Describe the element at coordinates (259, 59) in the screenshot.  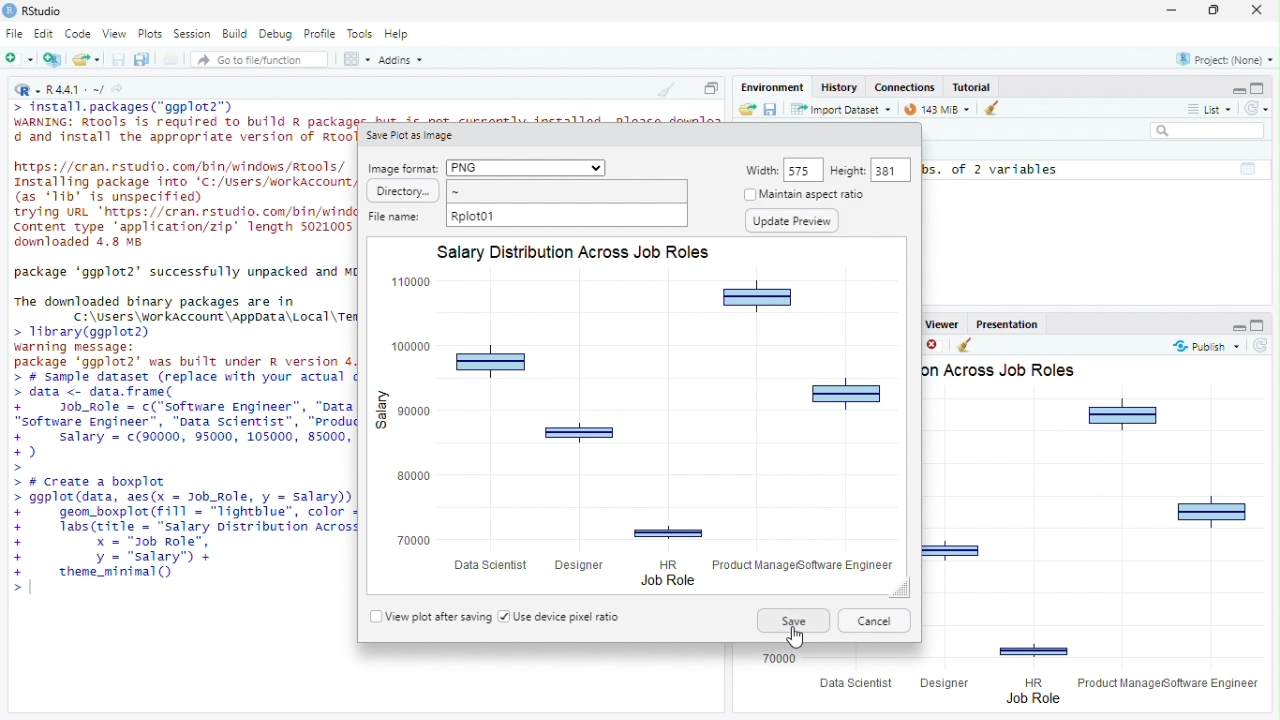
I see `Go to file/function` at that location.